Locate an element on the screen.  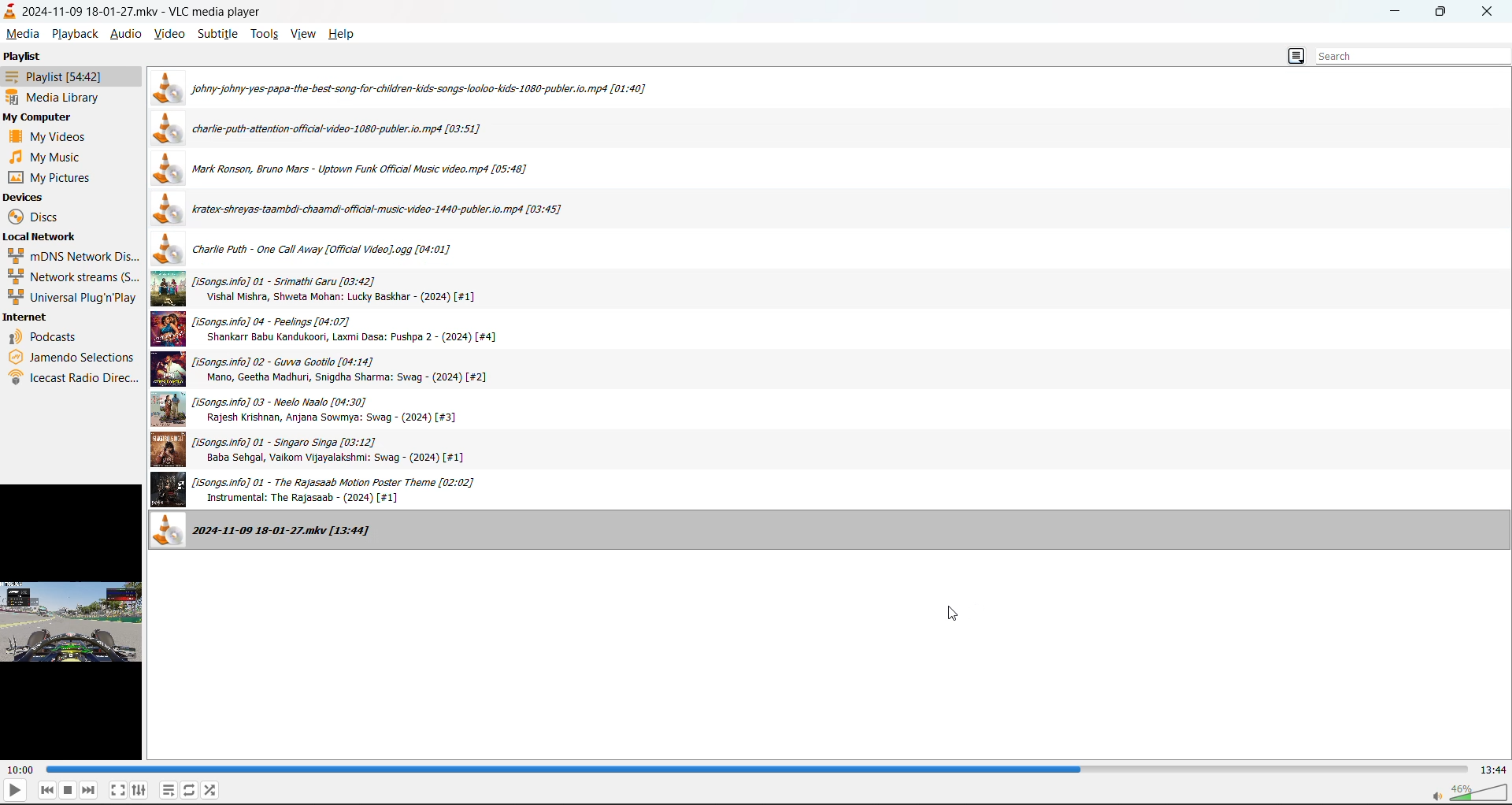
track slider is located at coordinates (758, 770).